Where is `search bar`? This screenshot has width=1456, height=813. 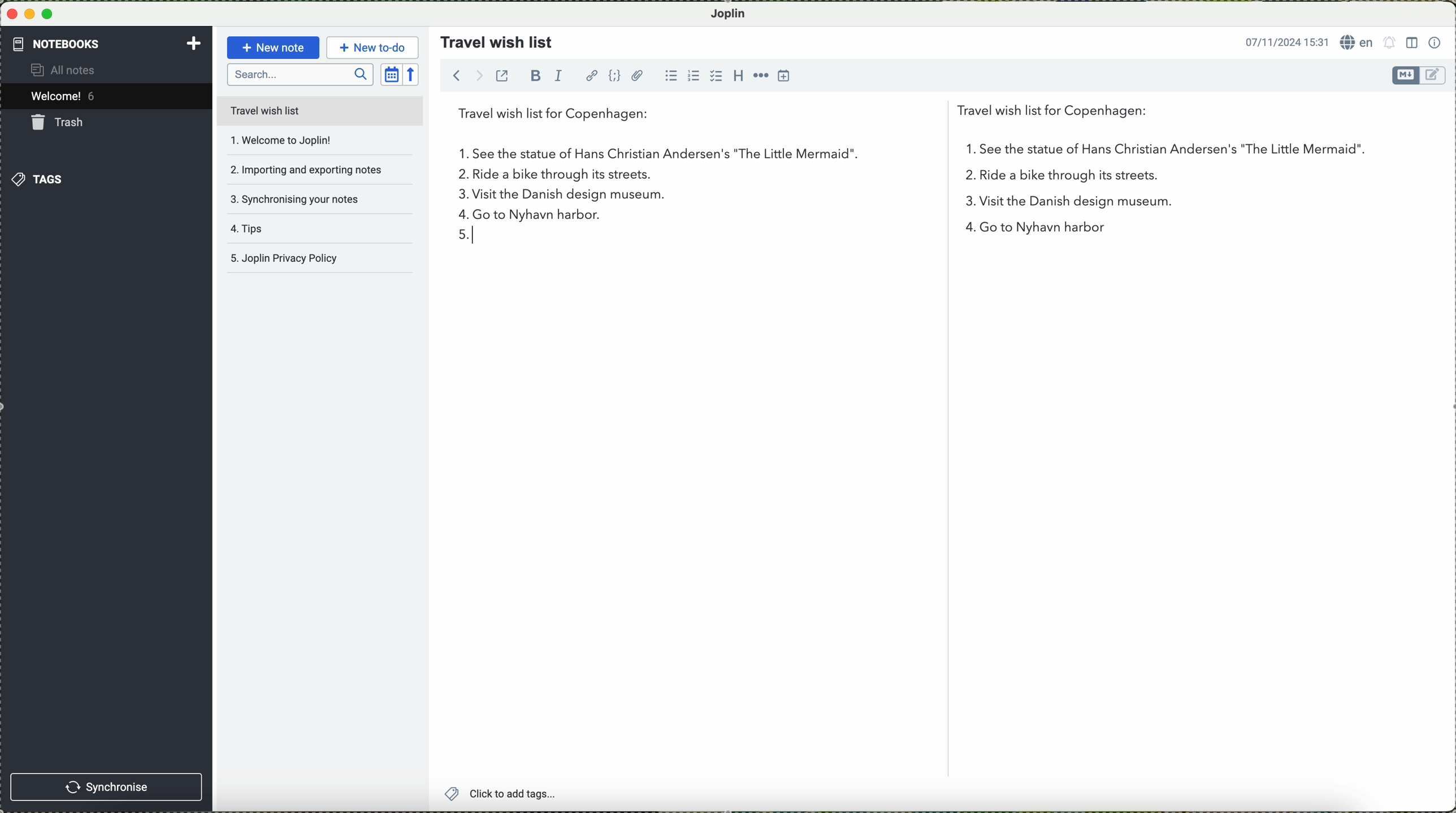 search bar is located at coordinates (300, 75).